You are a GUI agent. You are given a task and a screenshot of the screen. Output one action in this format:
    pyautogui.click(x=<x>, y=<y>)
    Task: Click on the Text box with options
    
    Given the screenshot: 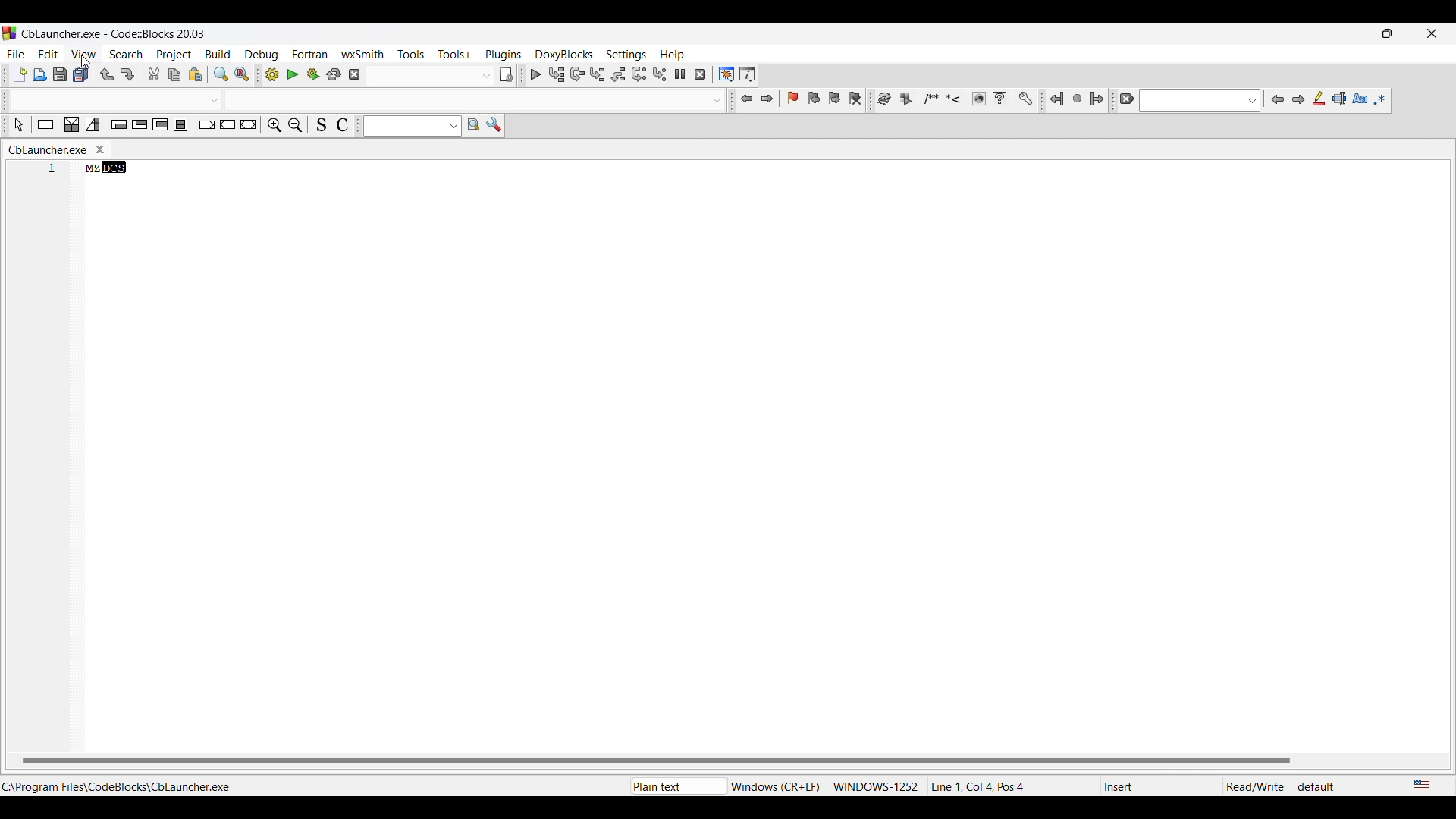 What is the action you would take?
    pyautogui.click(x=431, y=74)
    